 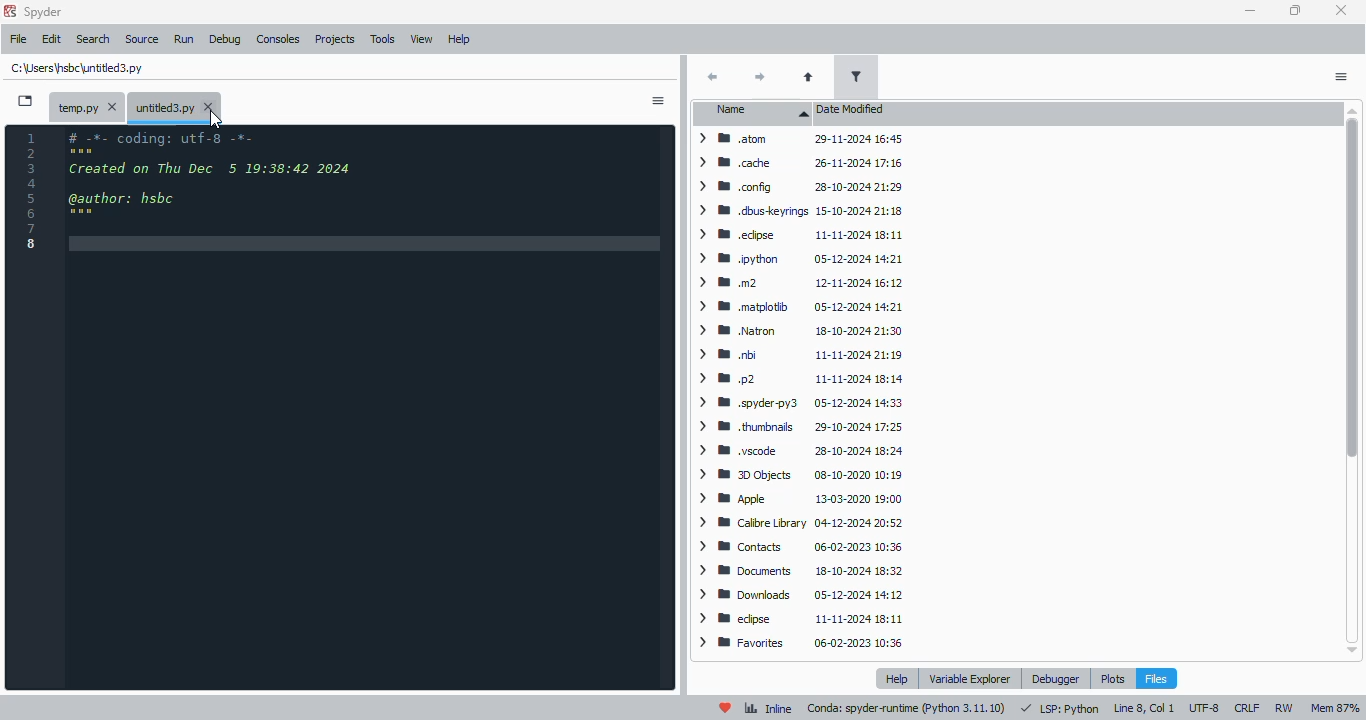 What do you see at coordinates (795, 547) in the screenshot?
I see `> WB Contacts 06-02-2023 10:36` at bounding box center [795, 547].